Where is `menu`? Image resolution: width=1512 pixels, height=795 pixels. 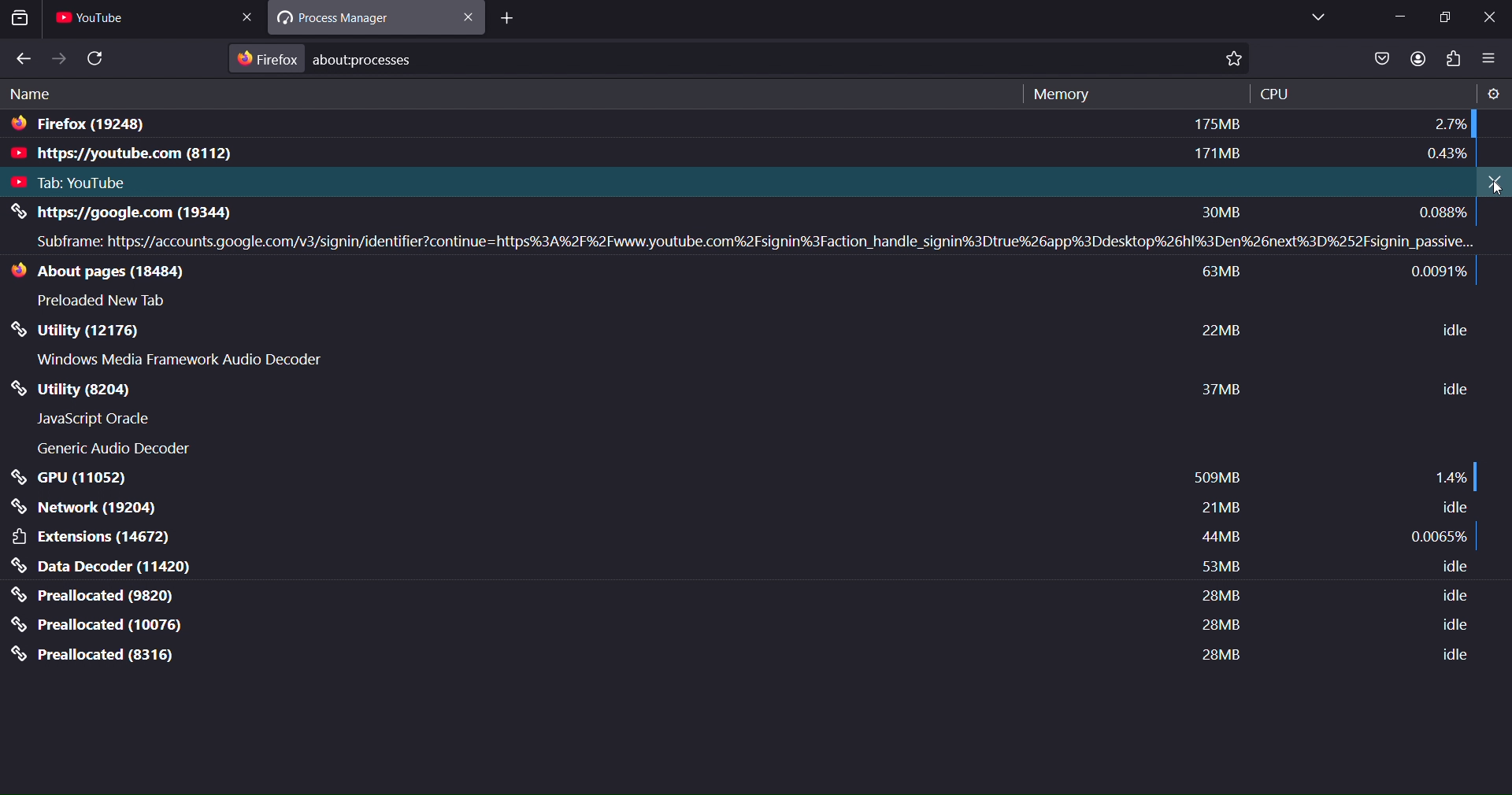
menu is located at coordinates (1489, 60).